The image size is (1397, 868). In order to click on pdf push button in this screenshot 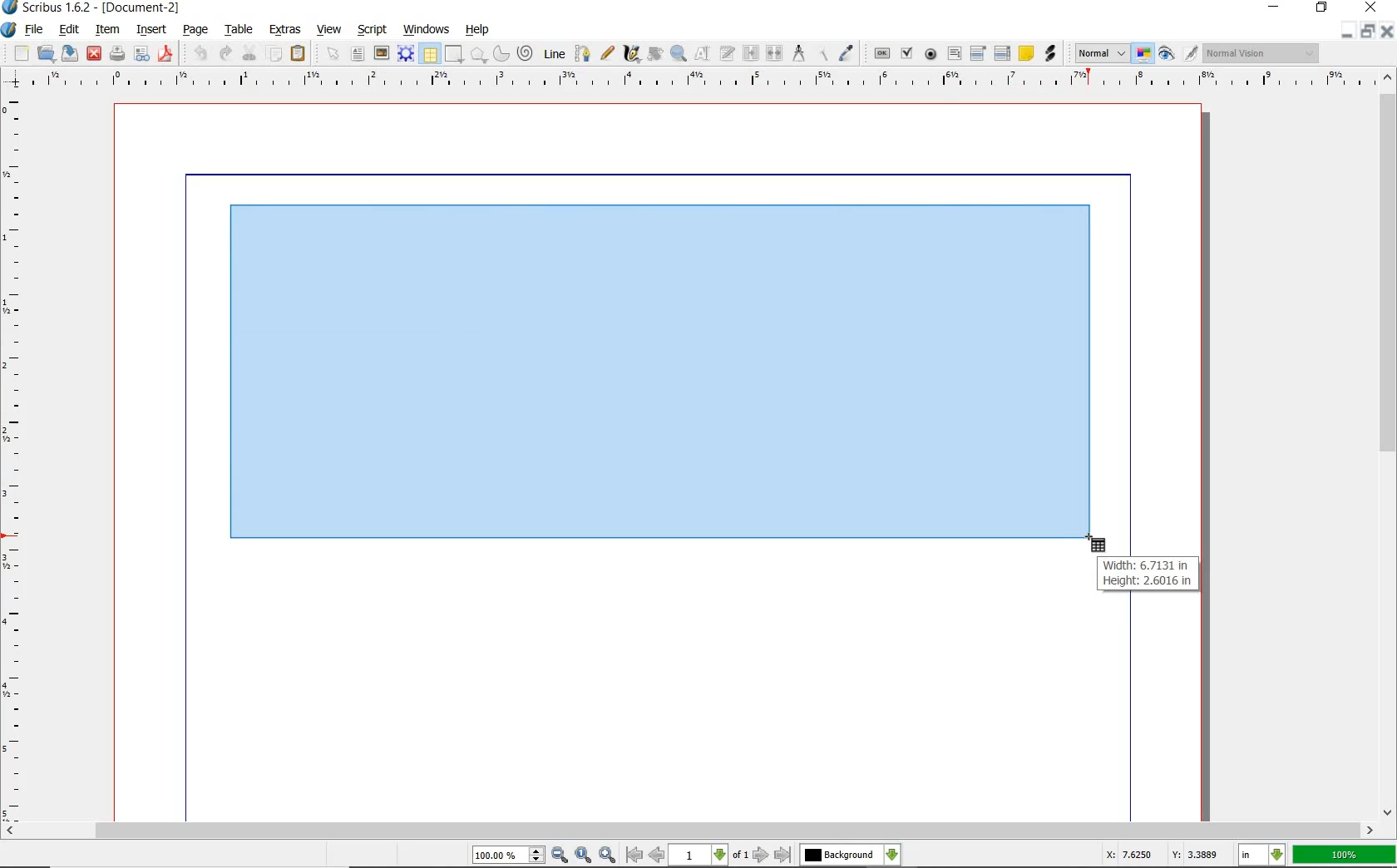, I will do `click(882, 54)`.